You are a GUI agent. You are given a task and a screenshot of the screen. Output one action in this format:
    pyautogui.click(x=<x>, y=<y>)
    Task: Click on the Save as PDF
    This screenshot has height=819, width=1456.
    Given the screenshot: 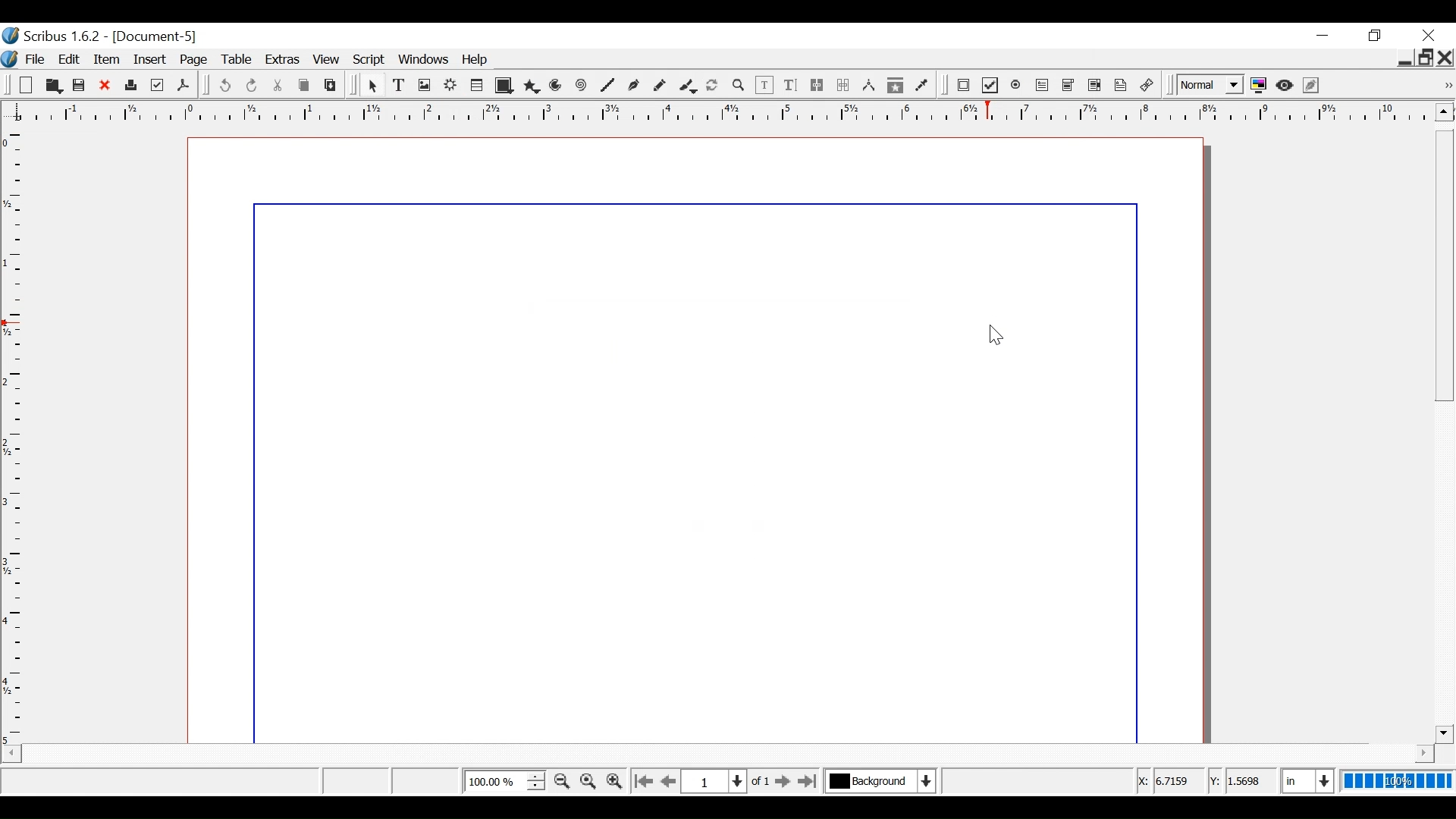 What is the action you would take?
    pyautogui.click(x=183, y=85)
    